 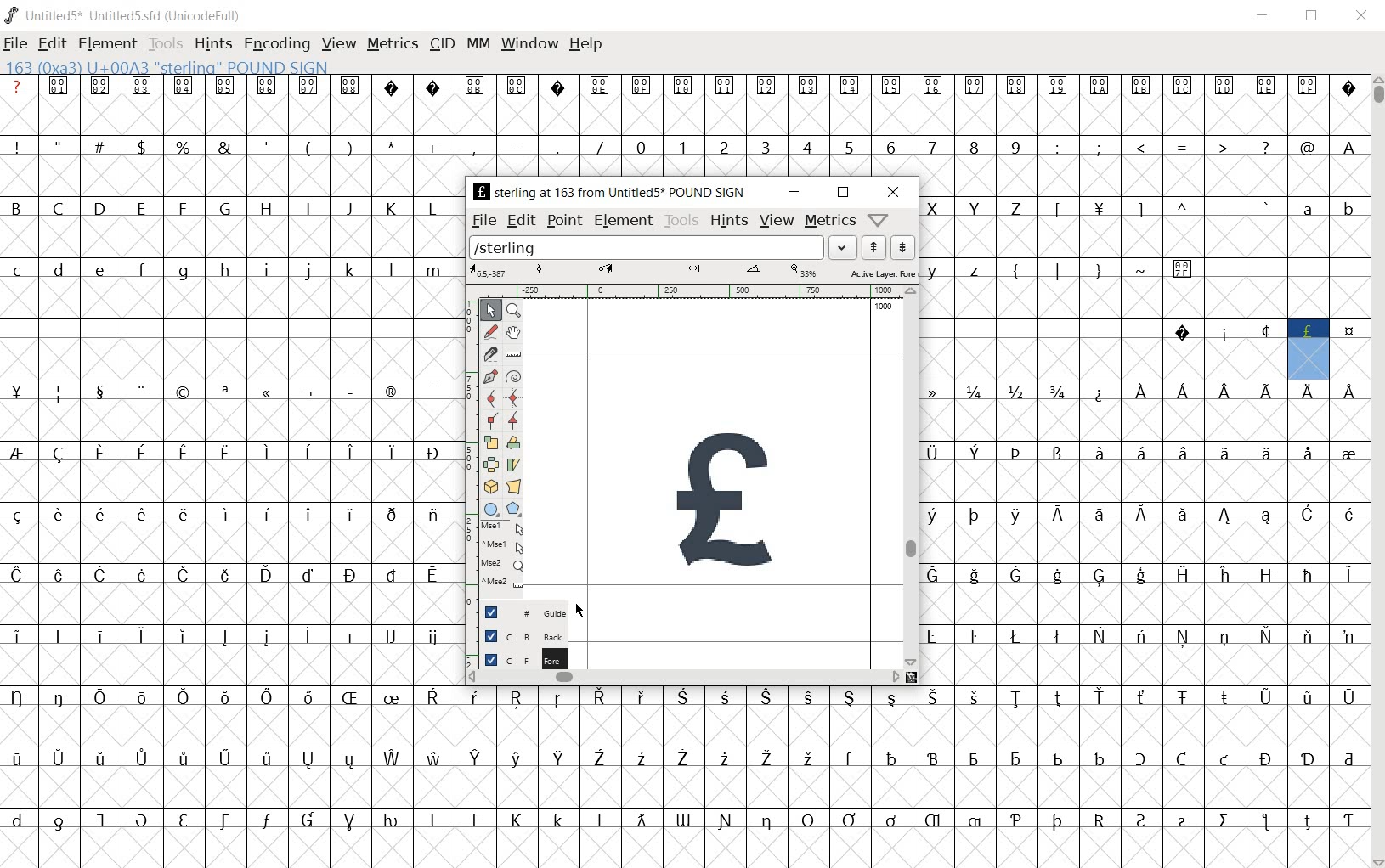 I want to click on Mouse wheel button + Ctrl, so click(x=506, y=582).